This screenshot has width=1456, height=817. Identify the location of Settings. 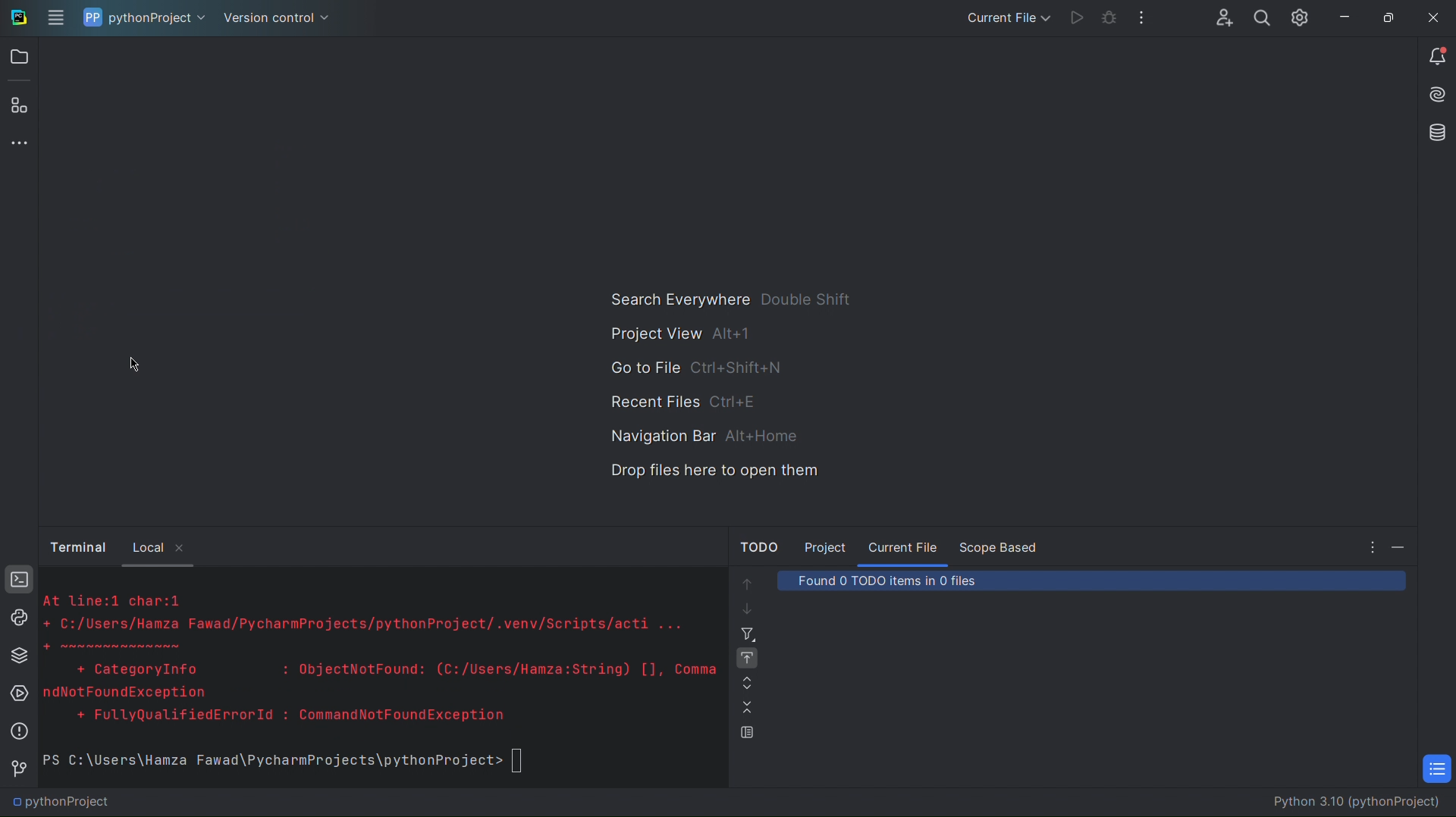
(1298, 19).